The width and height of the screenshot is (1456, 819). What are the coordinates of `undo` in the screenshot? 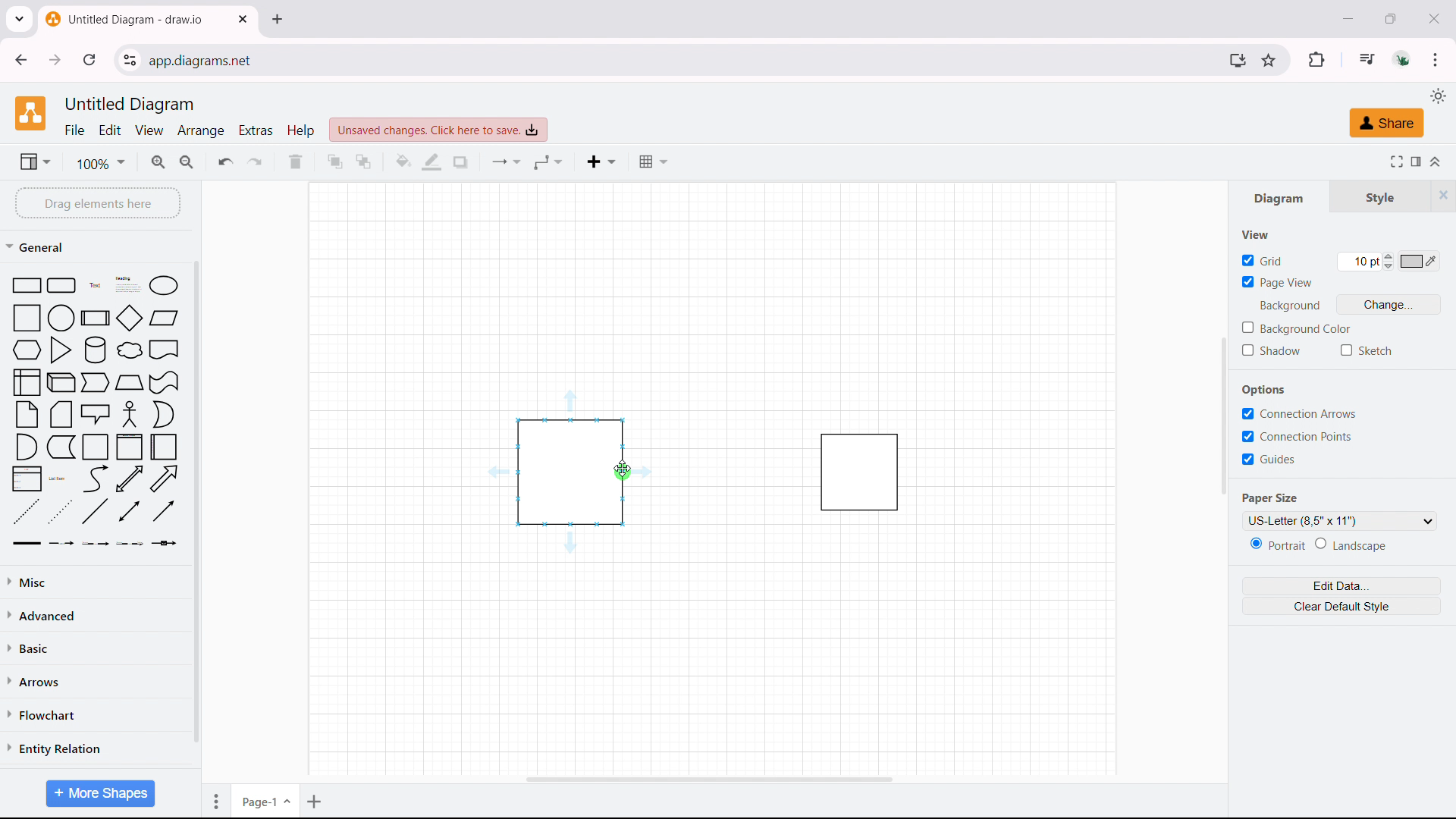 It's located at (226, 161).